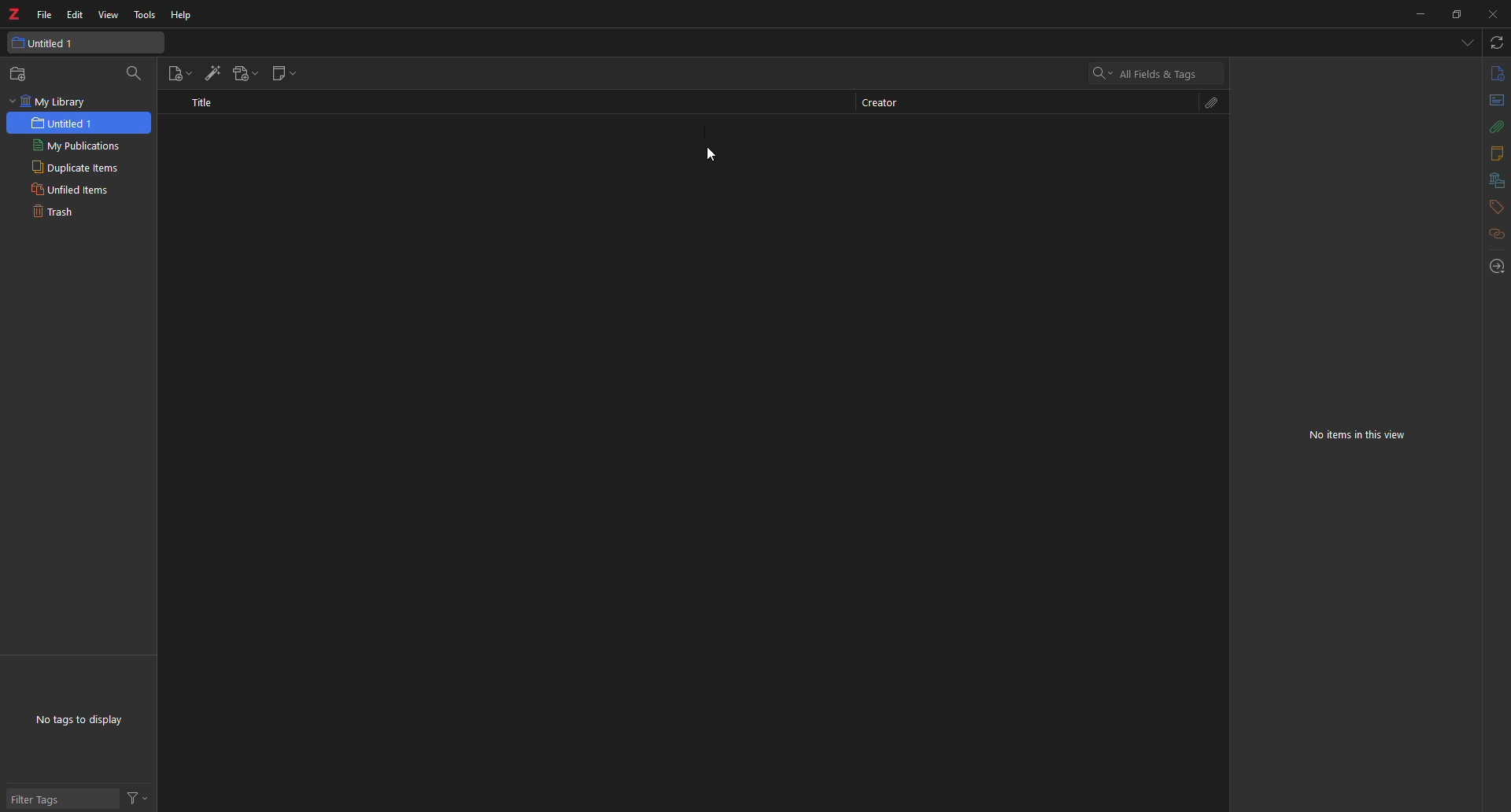 Image resolution: width=1511 pixels, height=812 pixels. I want to click on attach, so click(1214, 105).